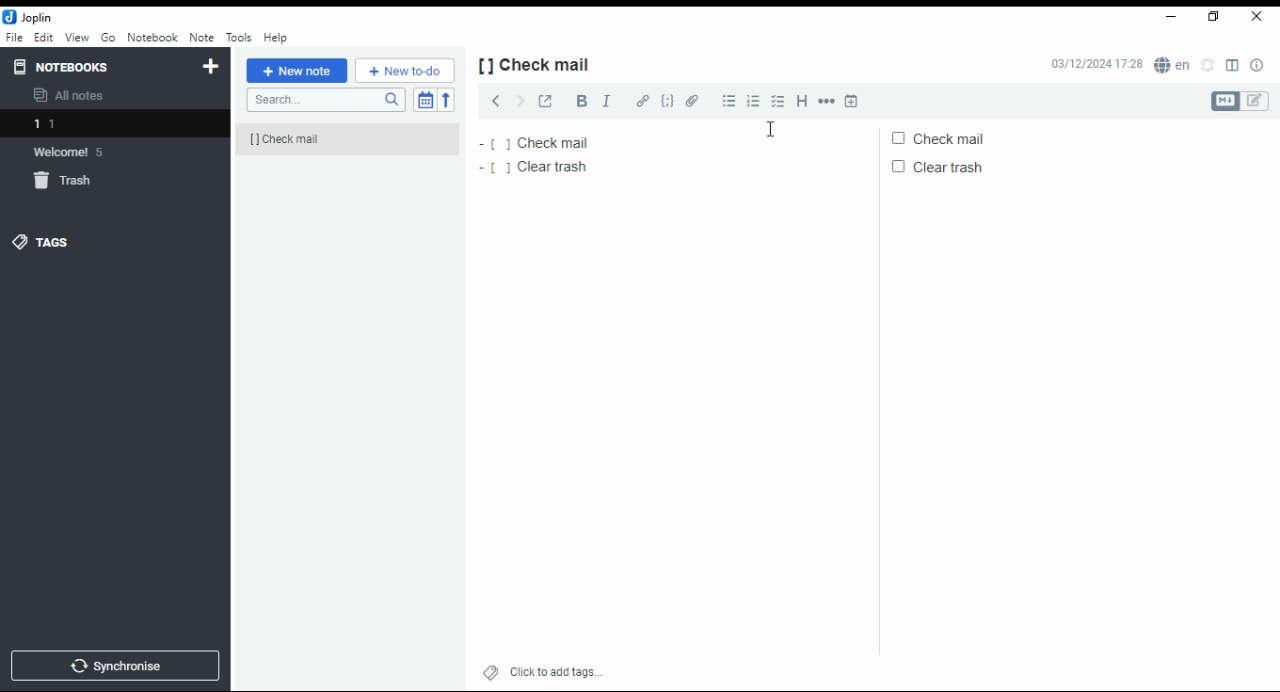  I want to click on search, so click(325, 99).